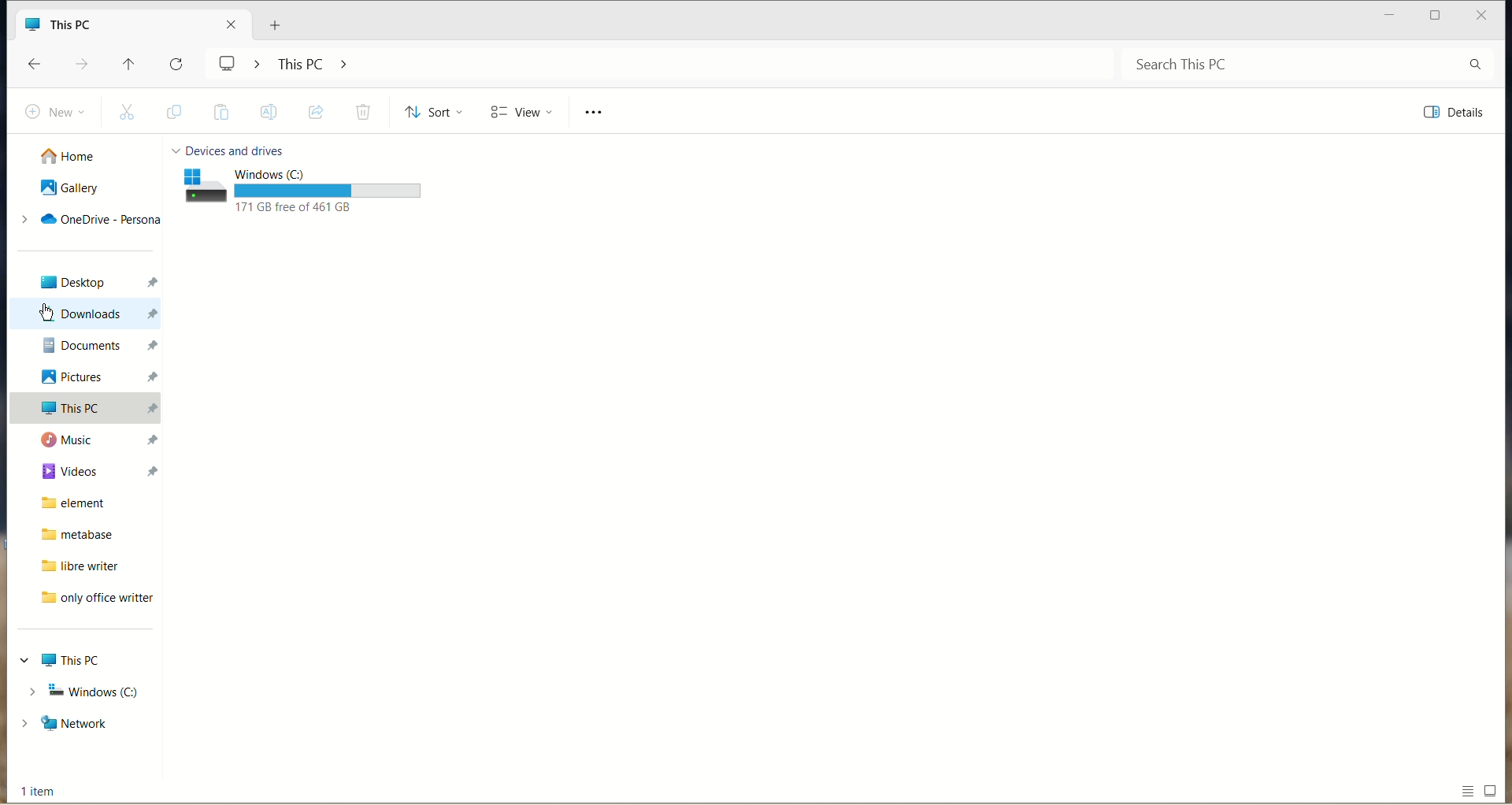 This screenshot has height=805, width=1512. What do you see at coordinates (268, 114) in the screenshot?
I see `rename` at bounding box center [268, 114].